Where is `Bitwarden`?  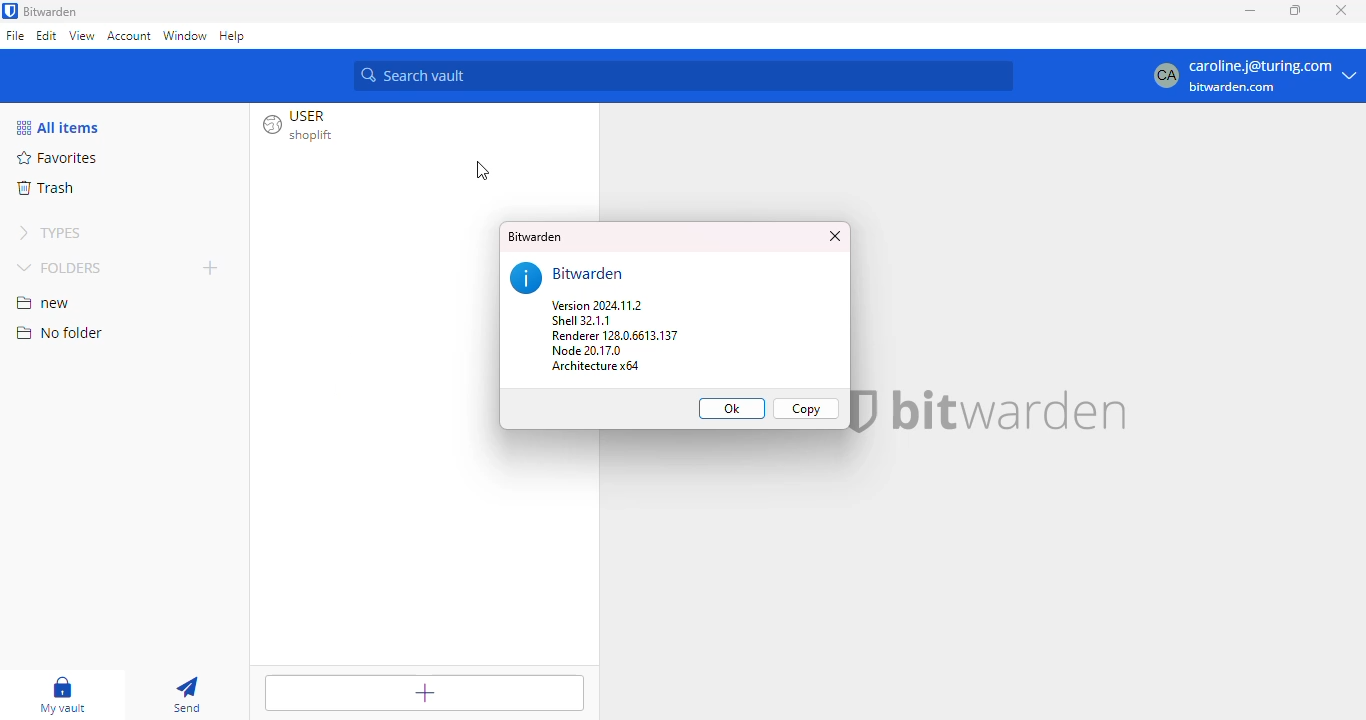
Bitwarden is located at coordinates (536, 238).